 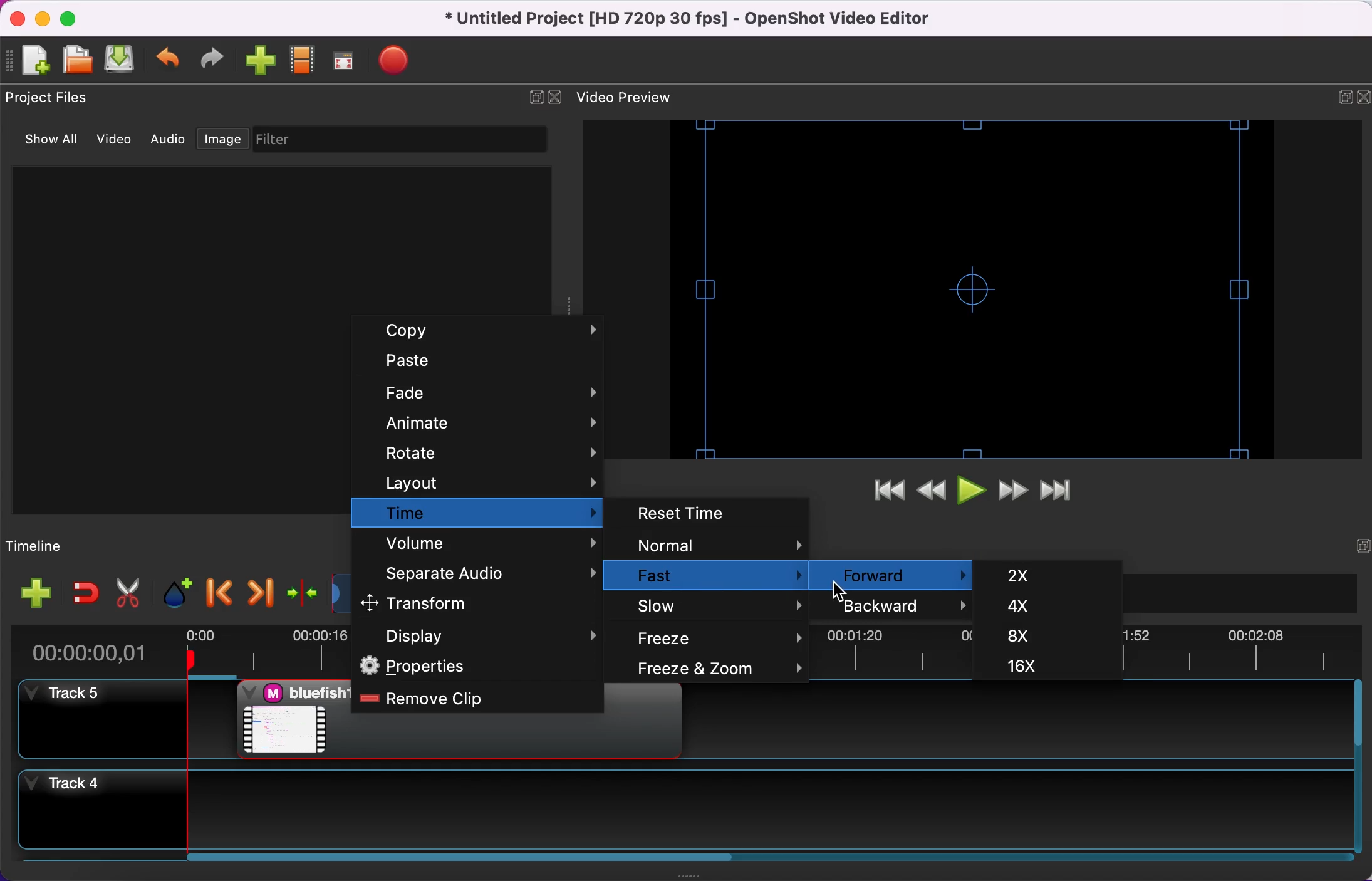 What do you see at coordinates (217, 593) in the screenshot?
I see `previous marker` at bounding box center [217, 593].